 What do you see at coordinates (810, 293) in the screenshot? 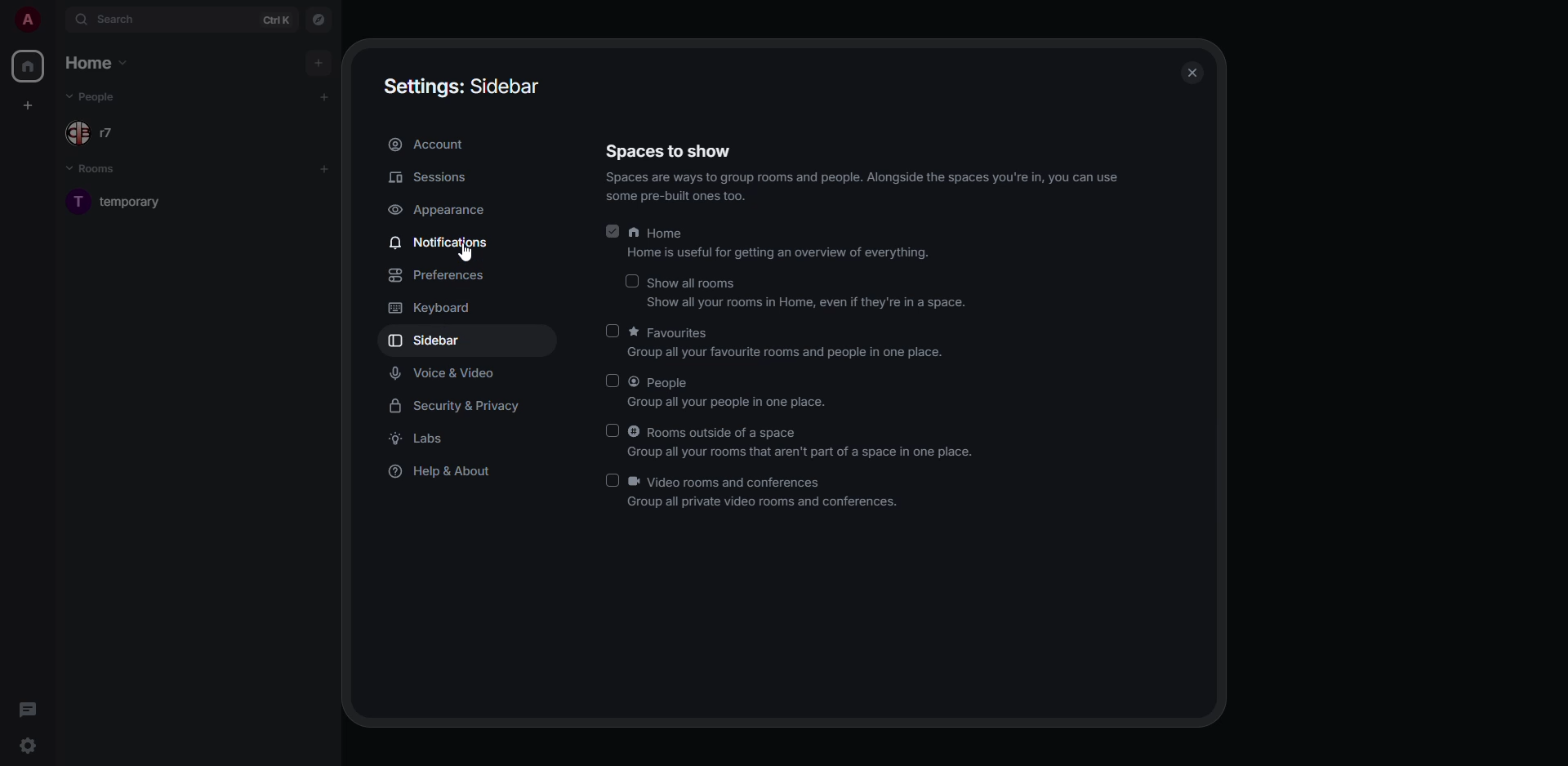
I see `show all rooms` at bounding box center [810, 293].